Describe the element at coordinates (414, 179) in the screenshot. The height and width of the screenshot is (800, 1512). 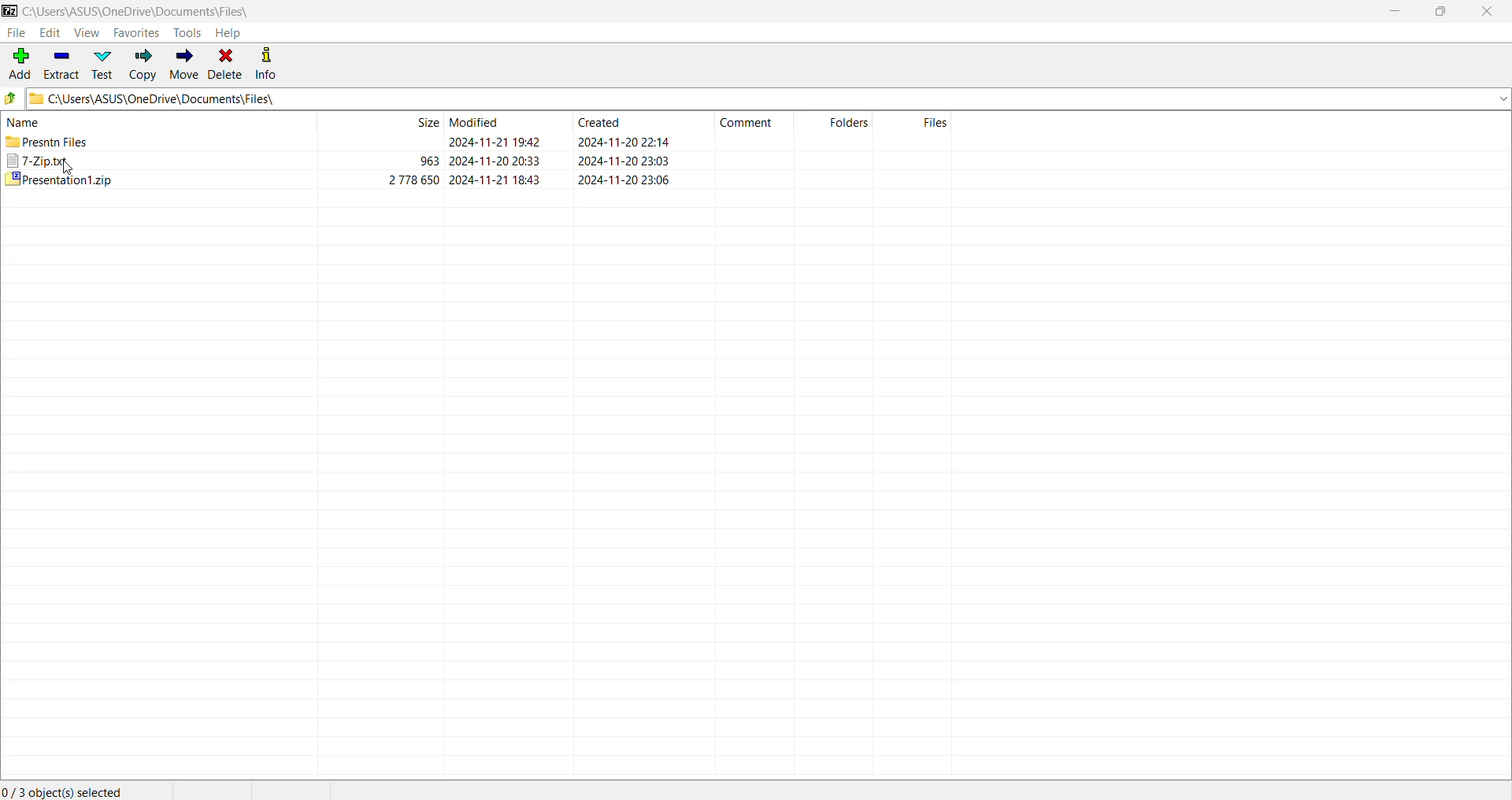
I see `2 778 650` at that location.